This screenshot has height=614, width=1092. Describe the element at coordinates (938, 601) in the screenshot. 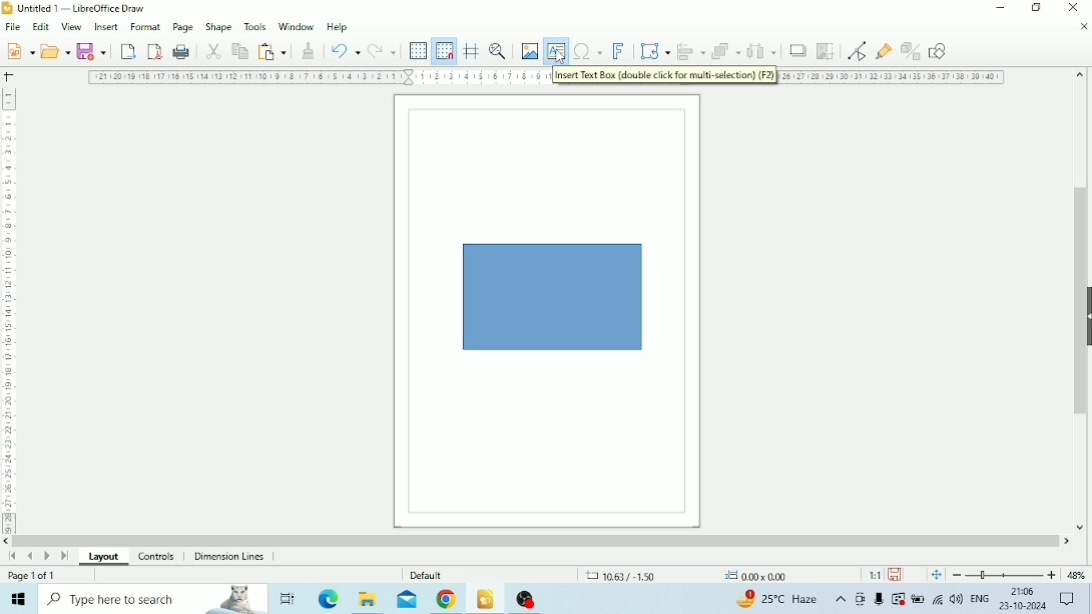

I see `Internet` at that location.